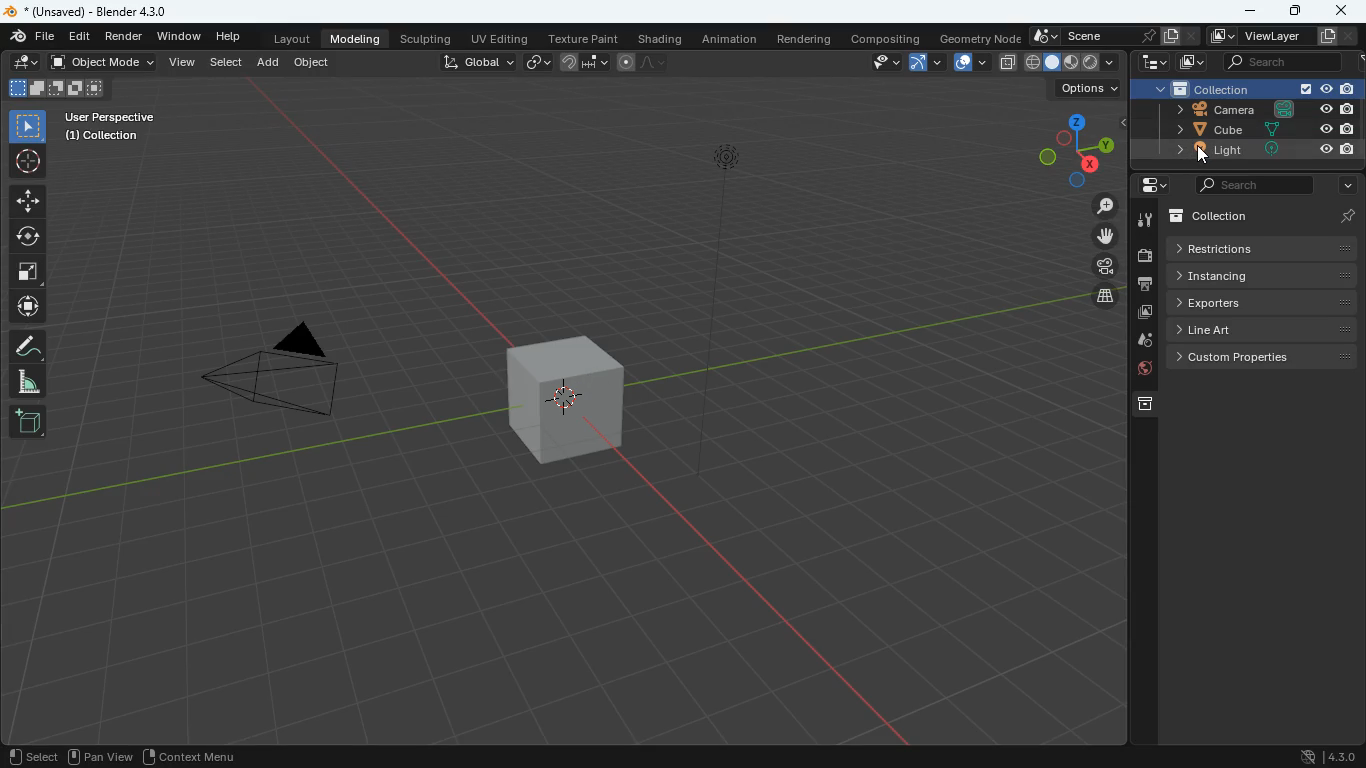 Image resolution: width=1366 pixels, height=768 pixels. I want to click on public, so click(1142, 371).